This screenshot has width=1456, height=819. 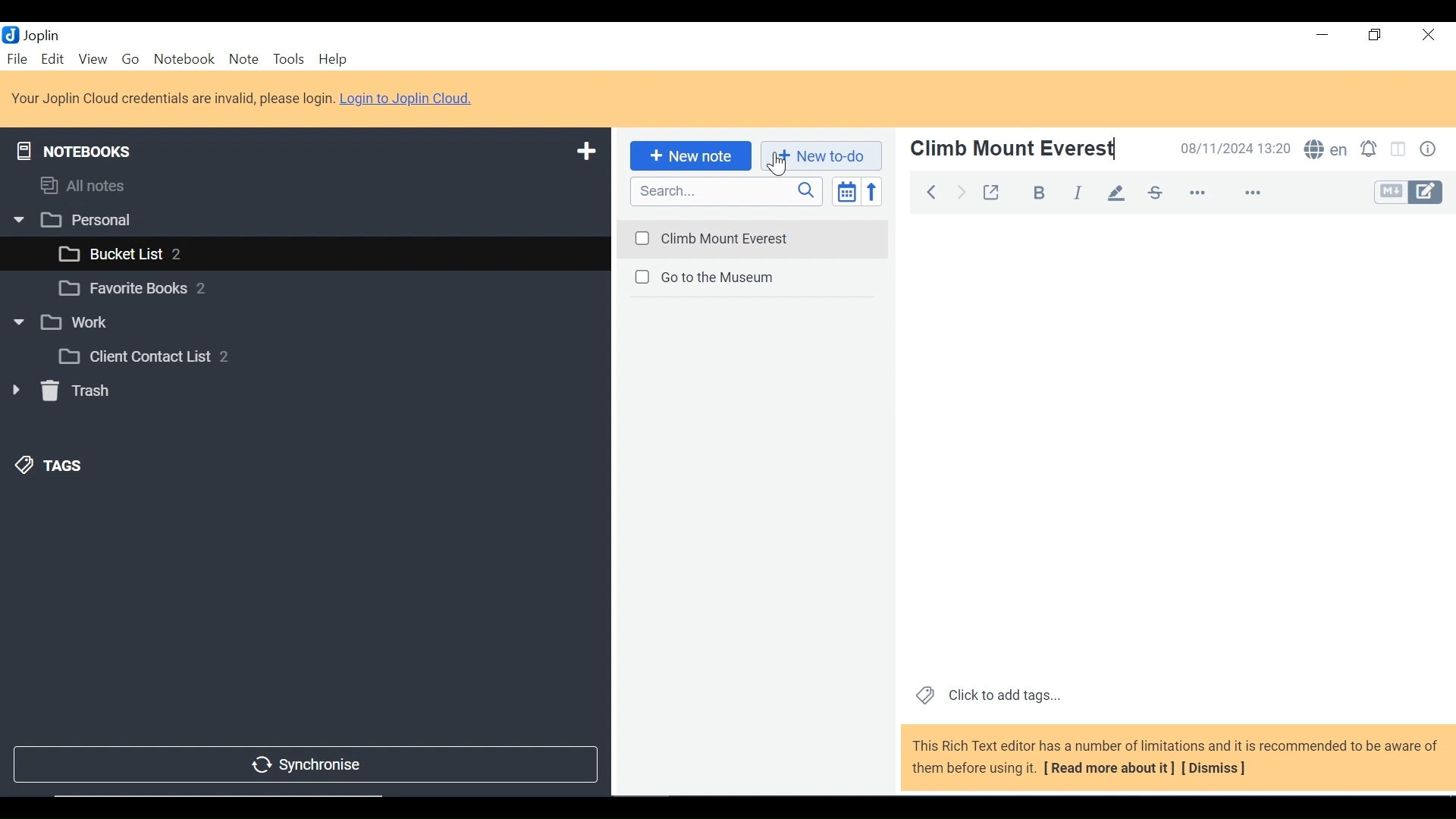 What do you see at coordinates (588, 149) in the screenshot?
I see `Add a New Notebook` at bounding box center [588, 149].